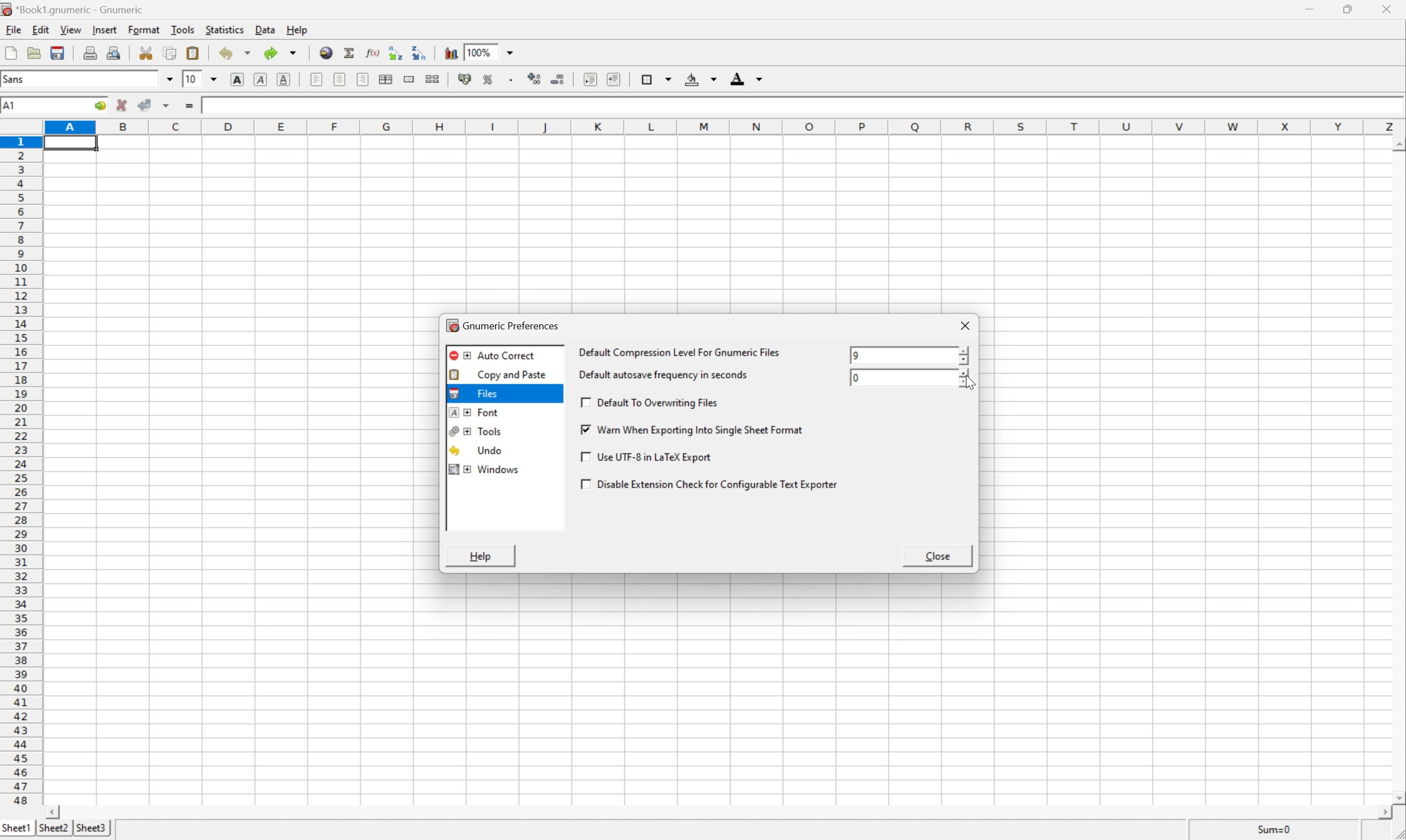 This screenshot has width=1406, height=840. Describe the element at coordinates (480, 452) in the screenshot. I see `undo` at that location.